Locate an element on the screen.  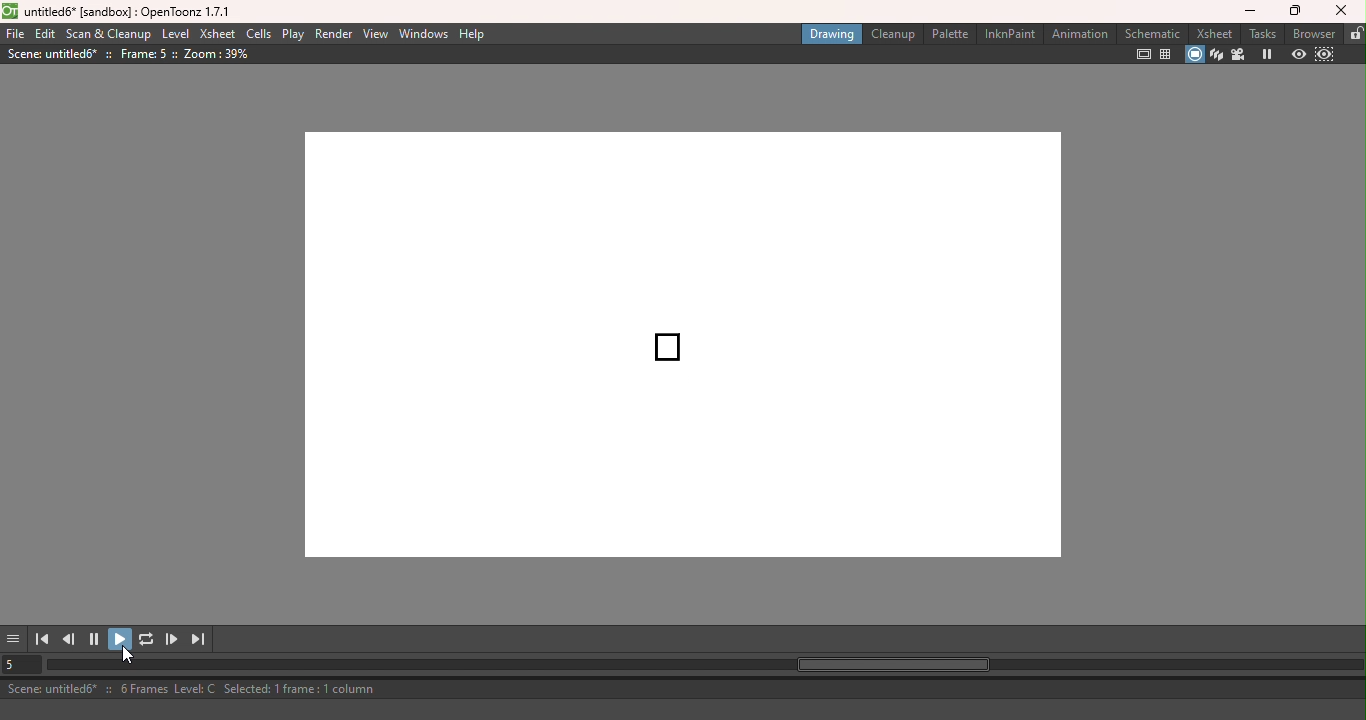
Render is located at coordinates (335, 35).